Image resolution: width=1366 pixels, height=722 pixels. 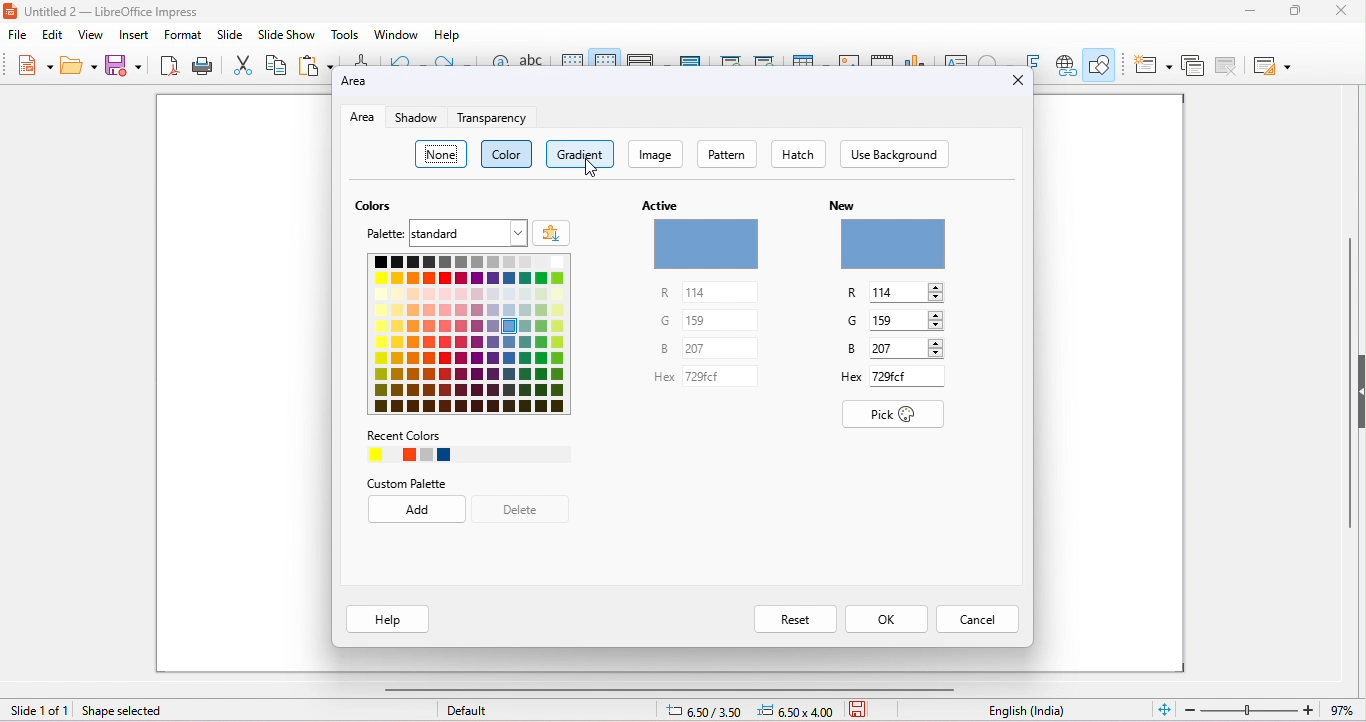 What do you see at coordinates (315, 63) in the screenshot?
I see `paste` at bounding box center [315, 63].